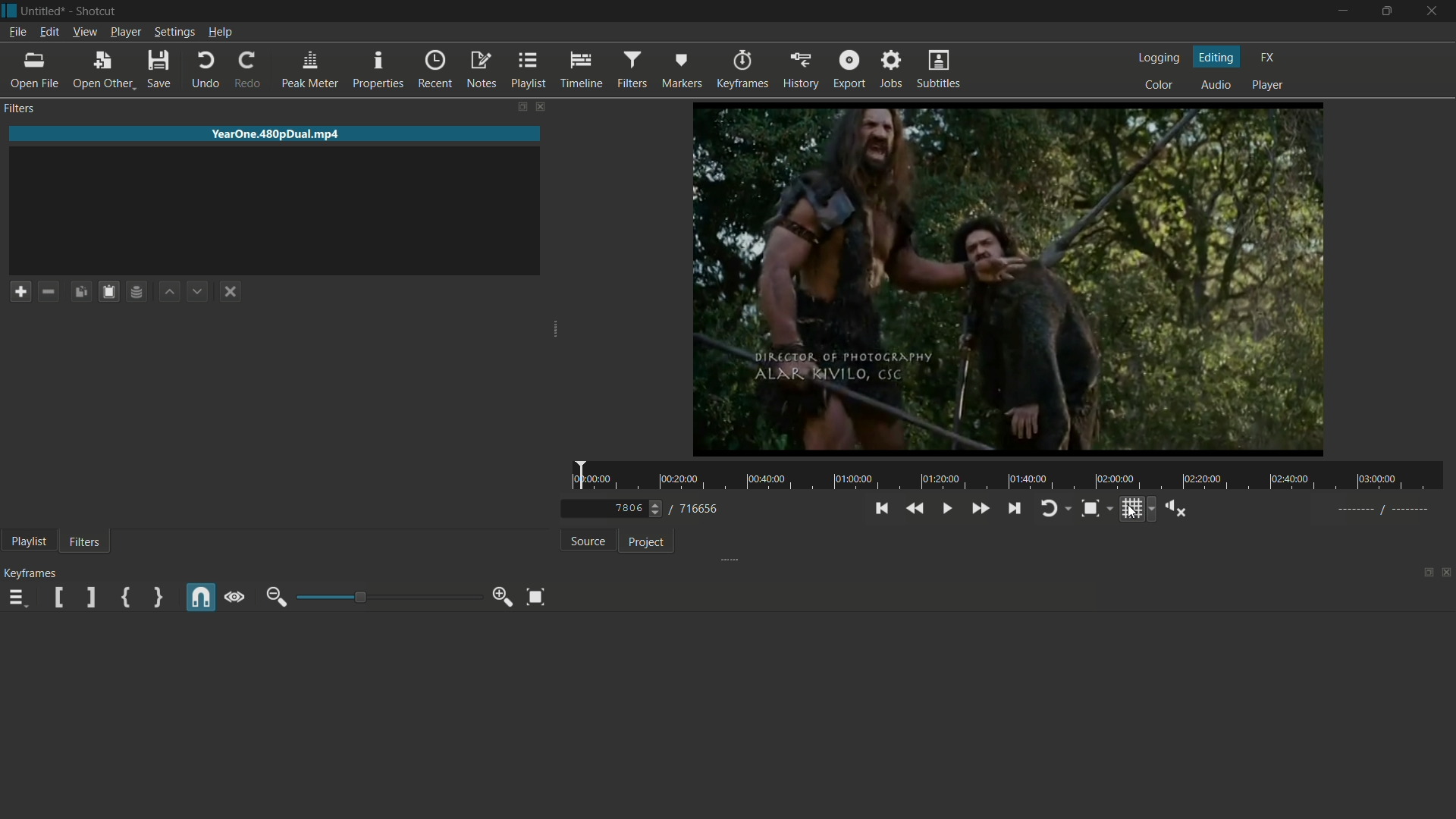 Image resolution: width=1456 pixels, height=819 pixels. What do you see at coordinates (742, 70) in the screenshot?
I see `keyframes` at bounding box center [742, 70].